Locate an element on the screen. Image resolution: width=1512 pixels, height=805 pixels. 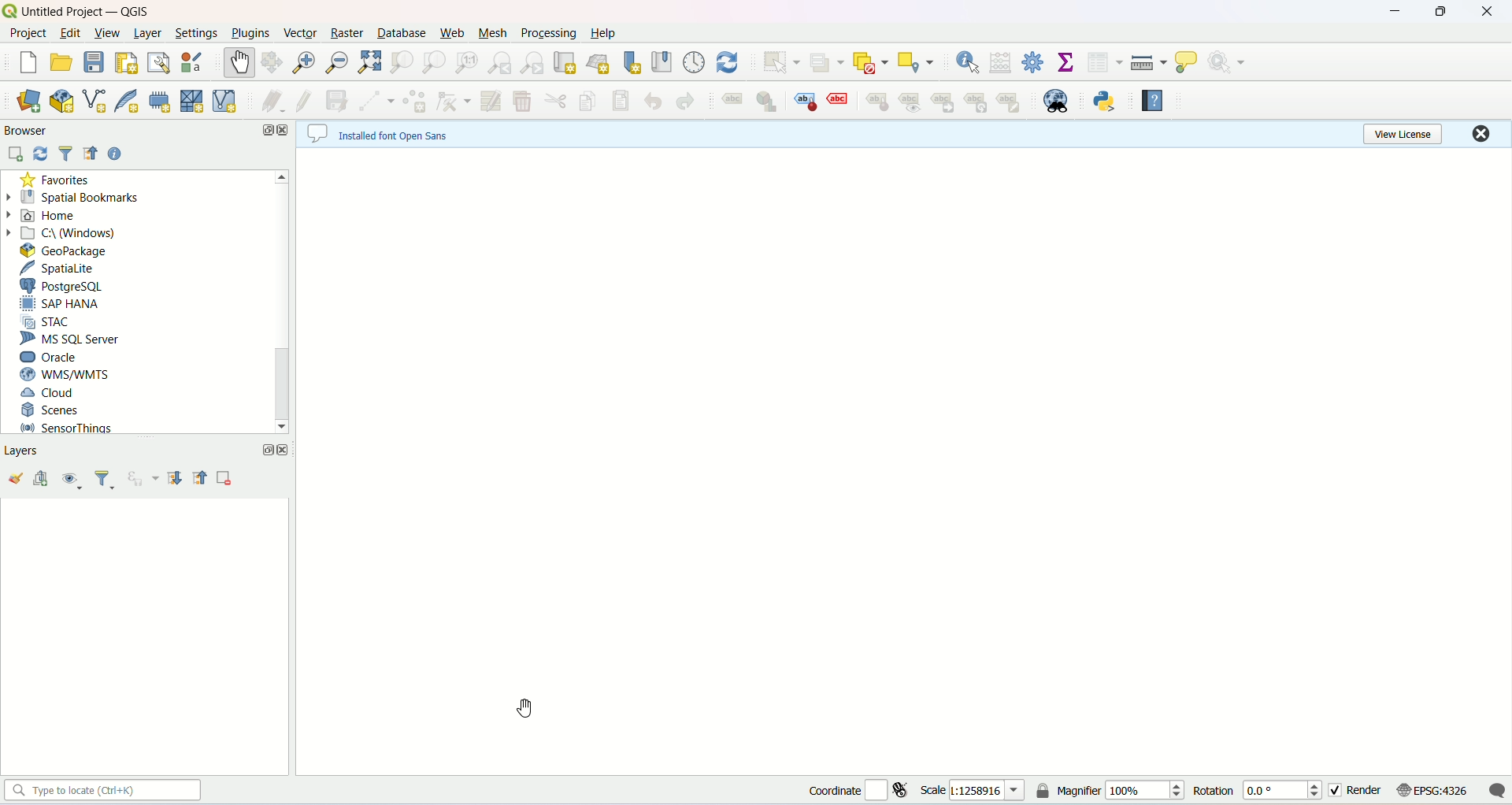
toggle extent and mouse location is located at coordinates (903, 793).